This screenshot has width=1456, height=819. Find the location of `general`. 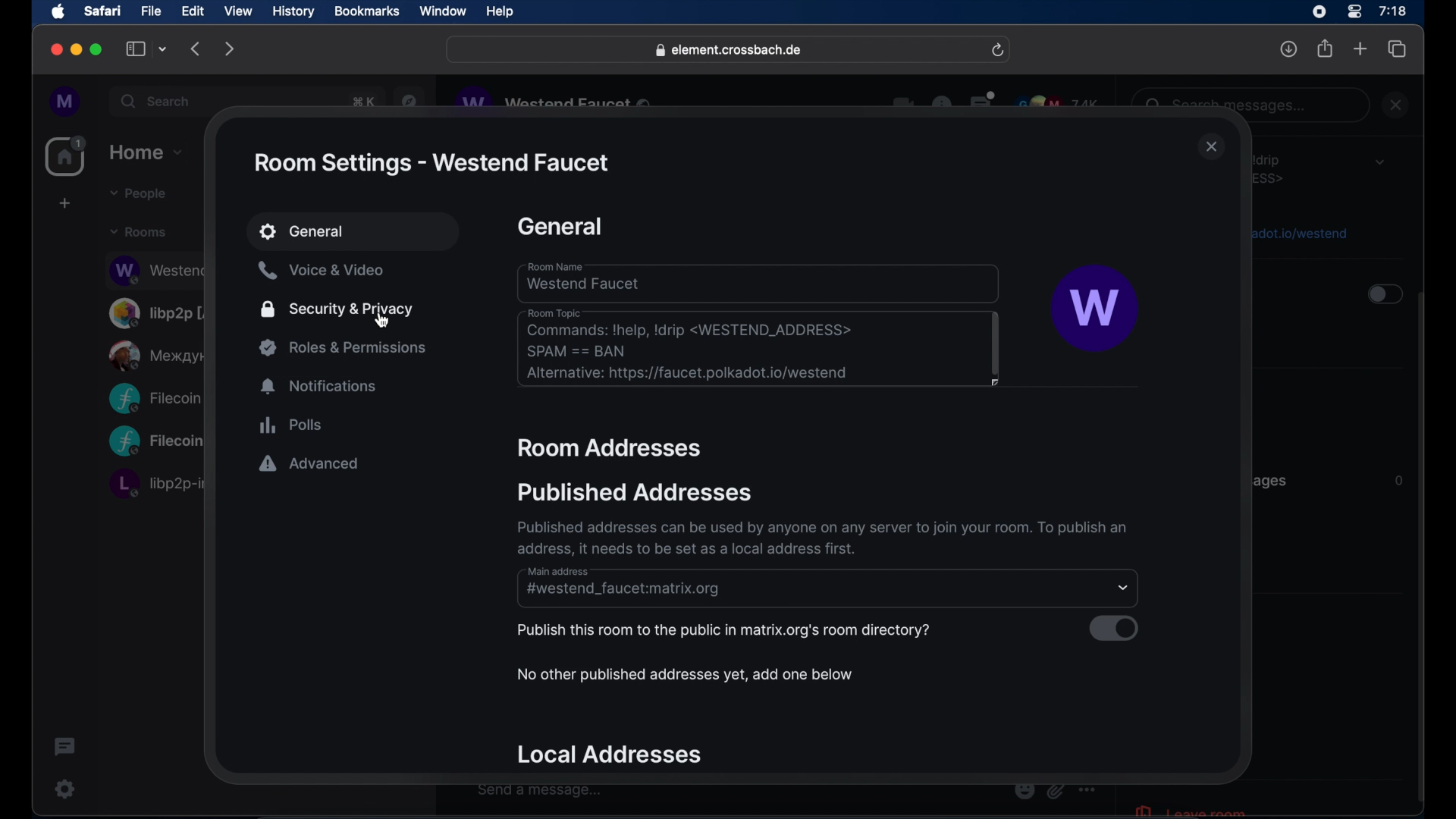

general is located at coordinates (355, 233).